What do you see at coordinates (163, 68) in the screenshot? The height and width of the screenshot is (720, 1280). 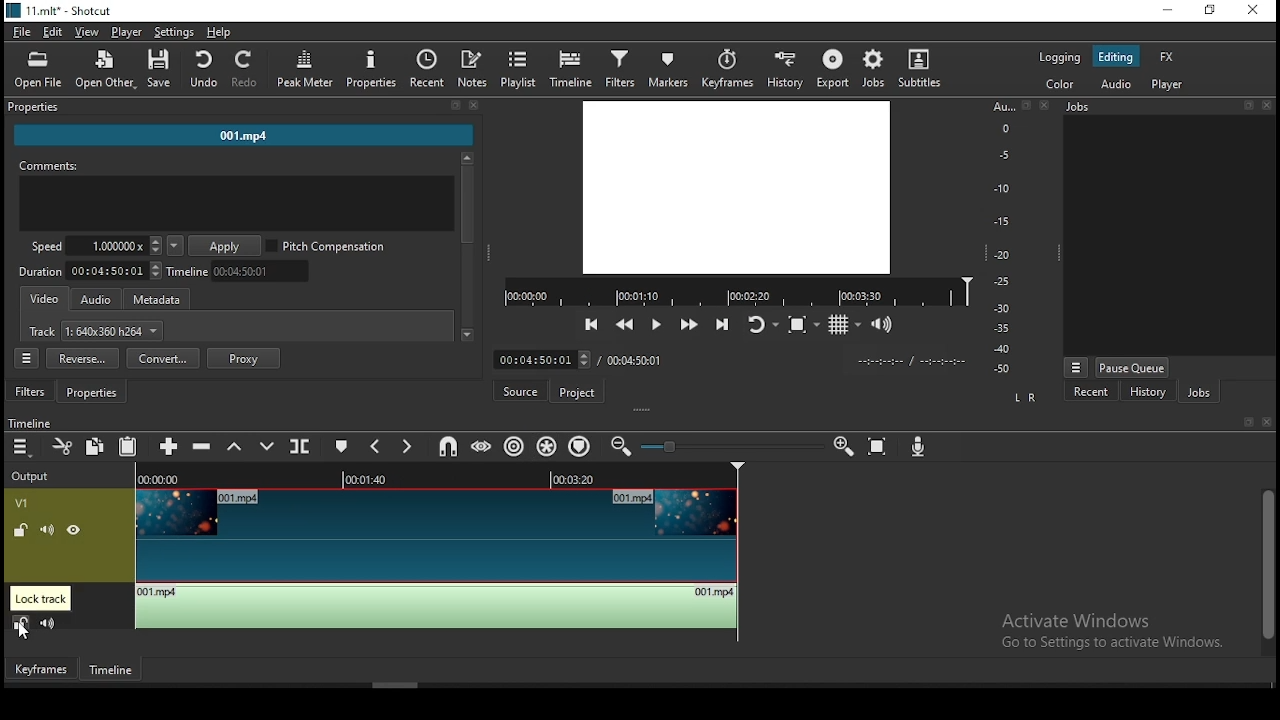 I see `save` at bounding box center [163, 68].